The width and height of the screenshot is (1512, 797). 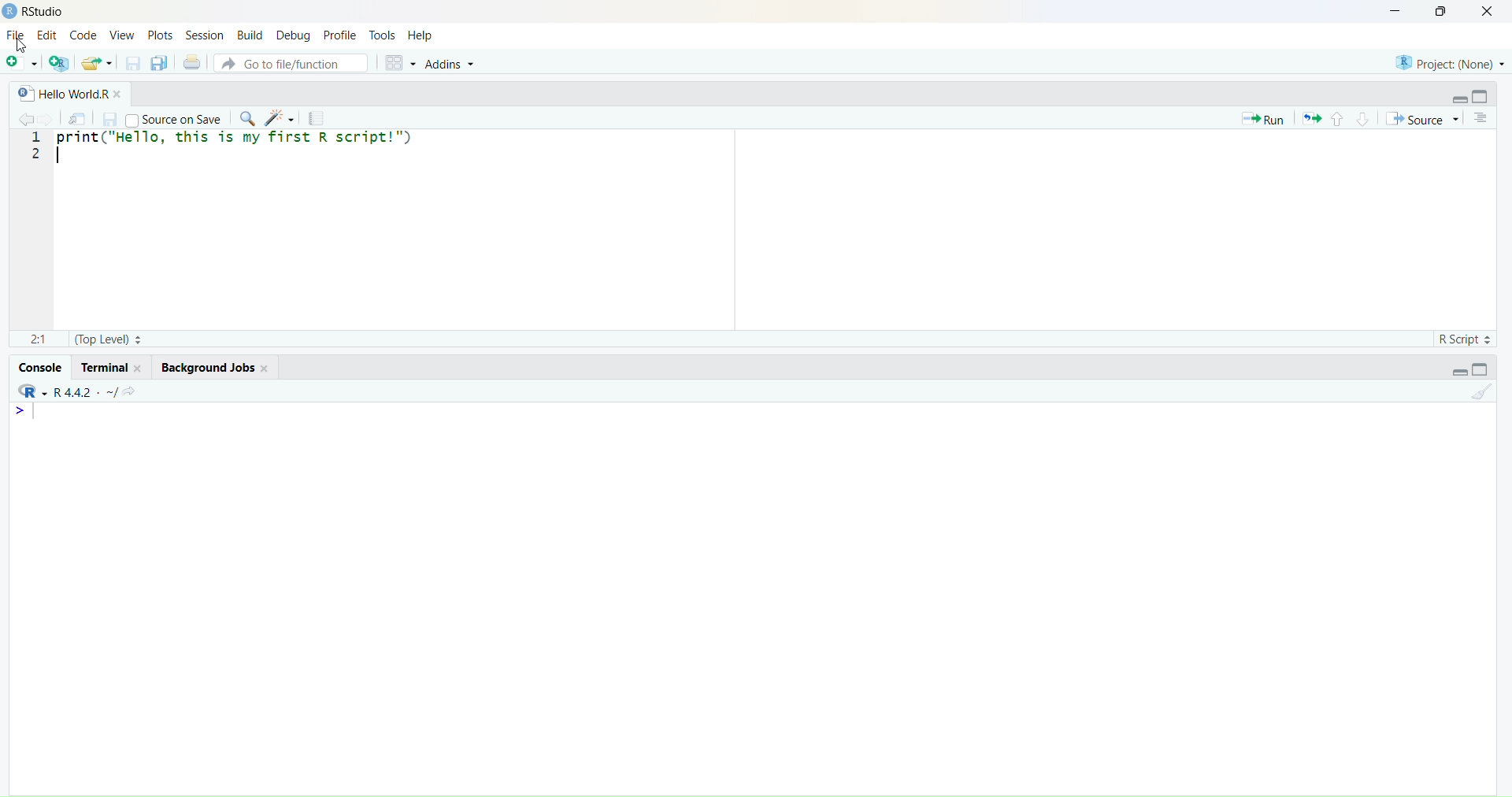 What do you see at coordinates (157, 63) in the screenshot?
I see `Save all open documents (Ctrl + Alt + S)` at bounding box center [157, 63].